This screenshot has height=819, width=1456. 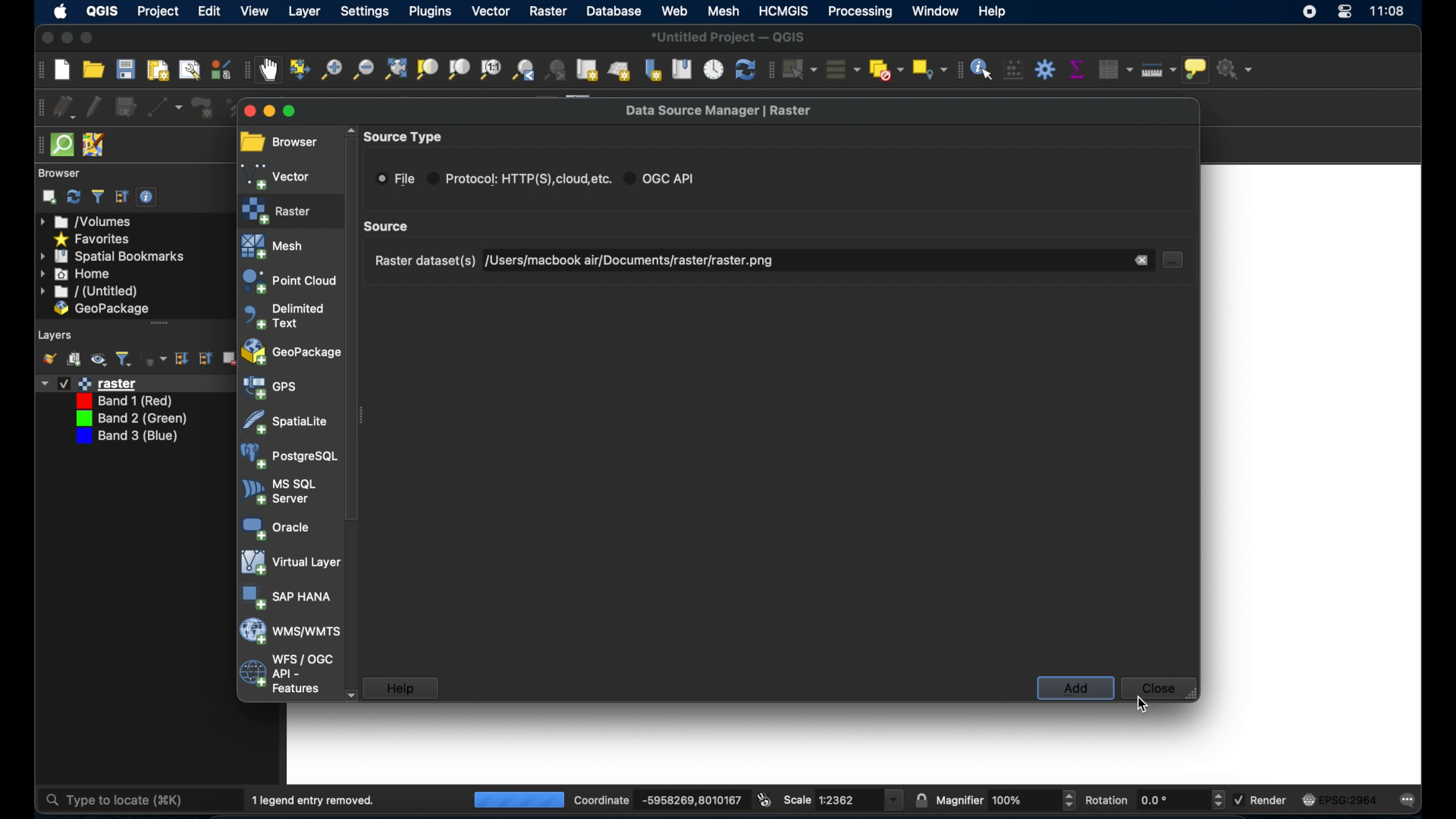 What do you see at coordinates (113, 256) in the screenshot?
I see `spatial bookmarks` at bounding box center [113, 256].